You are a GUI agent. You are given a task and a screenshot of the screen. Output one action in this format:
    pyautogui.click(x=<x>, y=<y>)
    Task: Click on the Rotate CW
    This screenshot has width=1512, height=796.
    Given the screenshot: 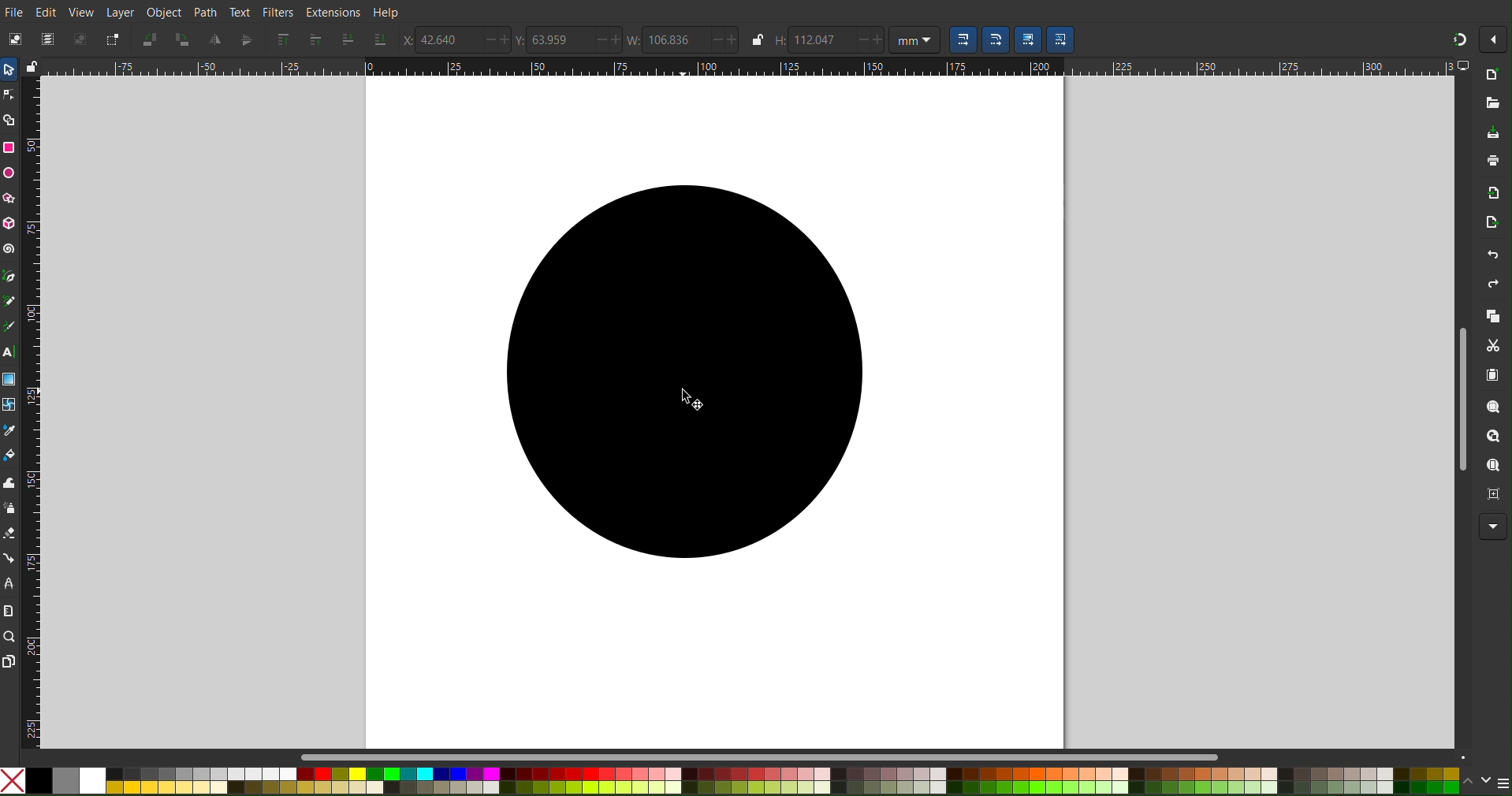 What is the action you would take?
    pyautogui.click(x=184, y=39)
    